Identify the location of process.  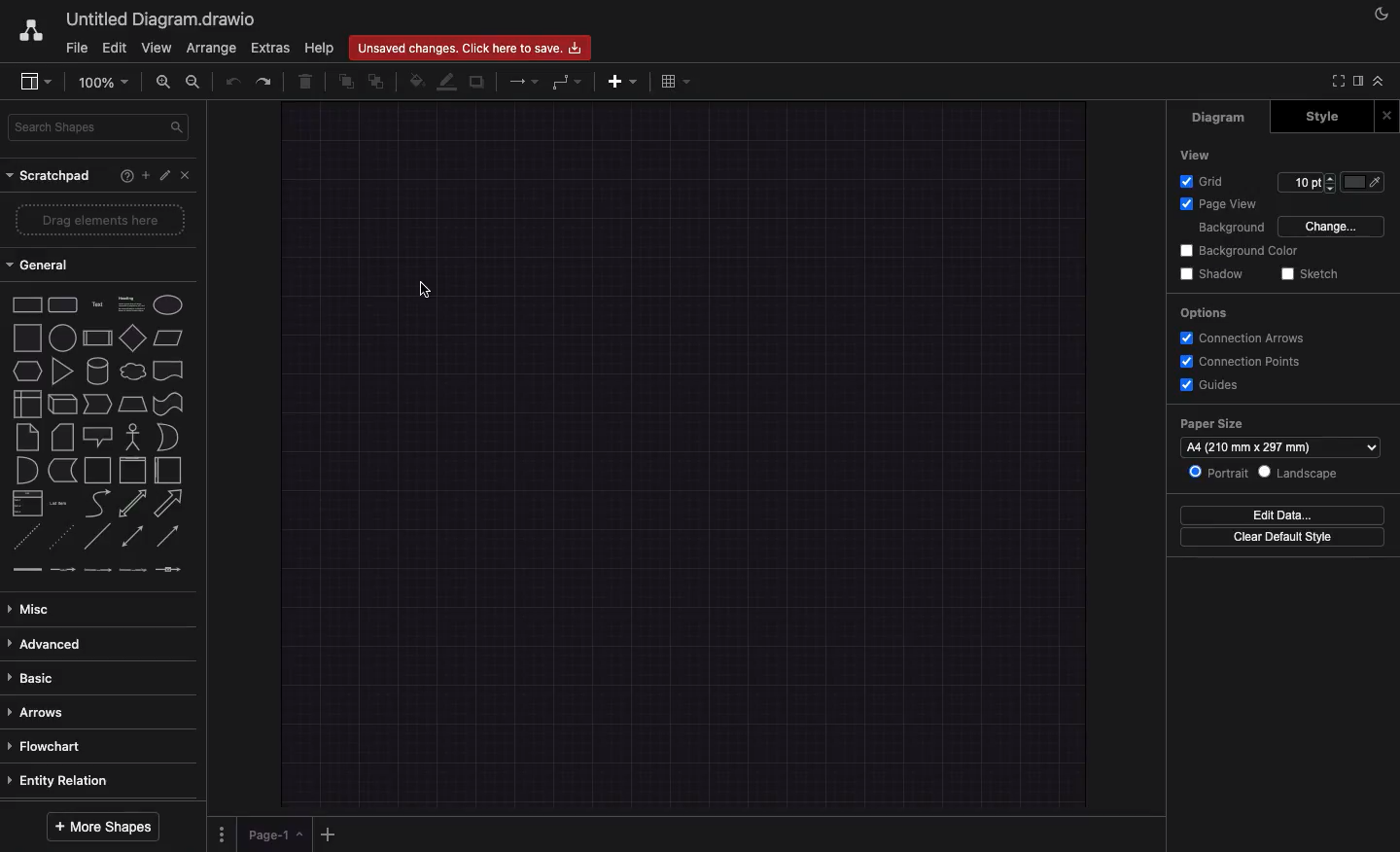
(62, 338).